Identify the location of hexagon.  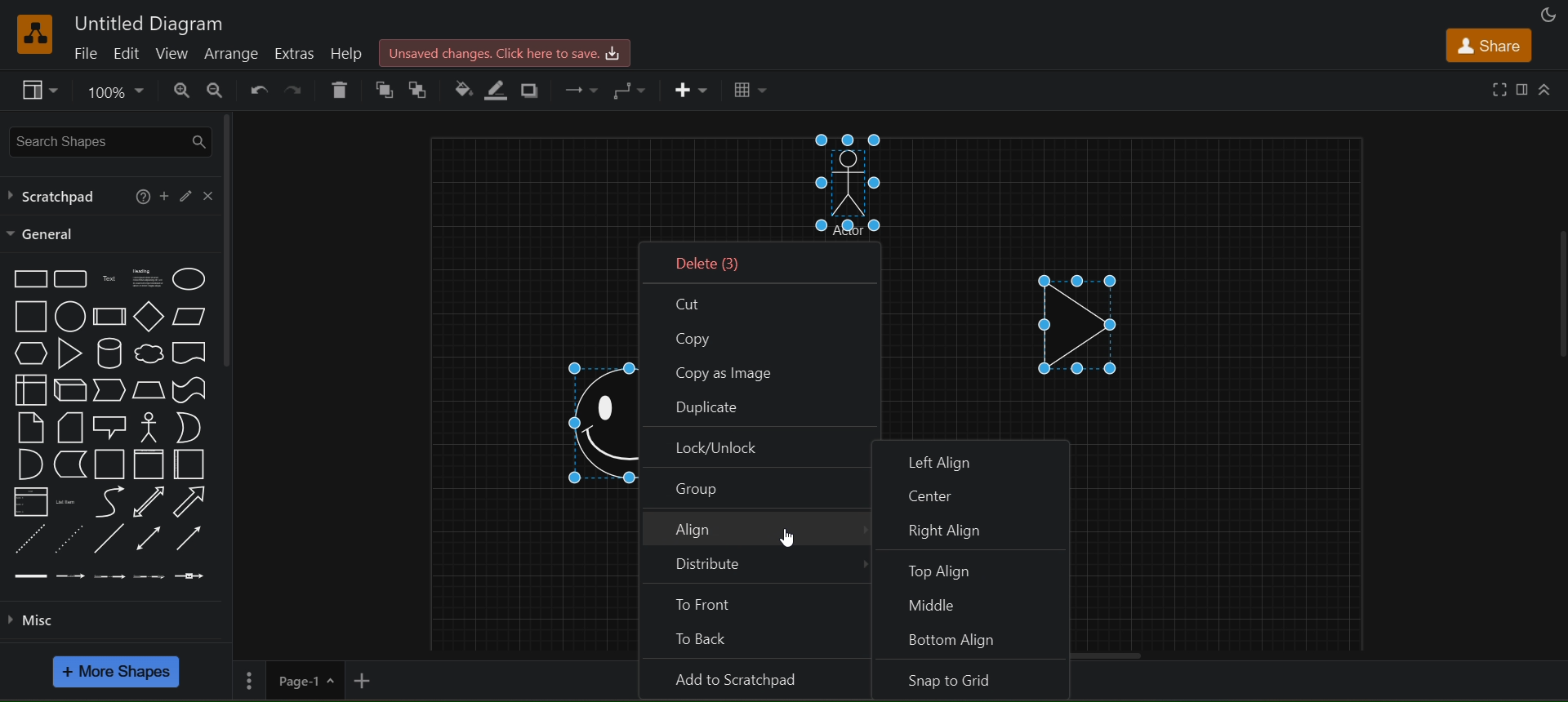
(28, 353).